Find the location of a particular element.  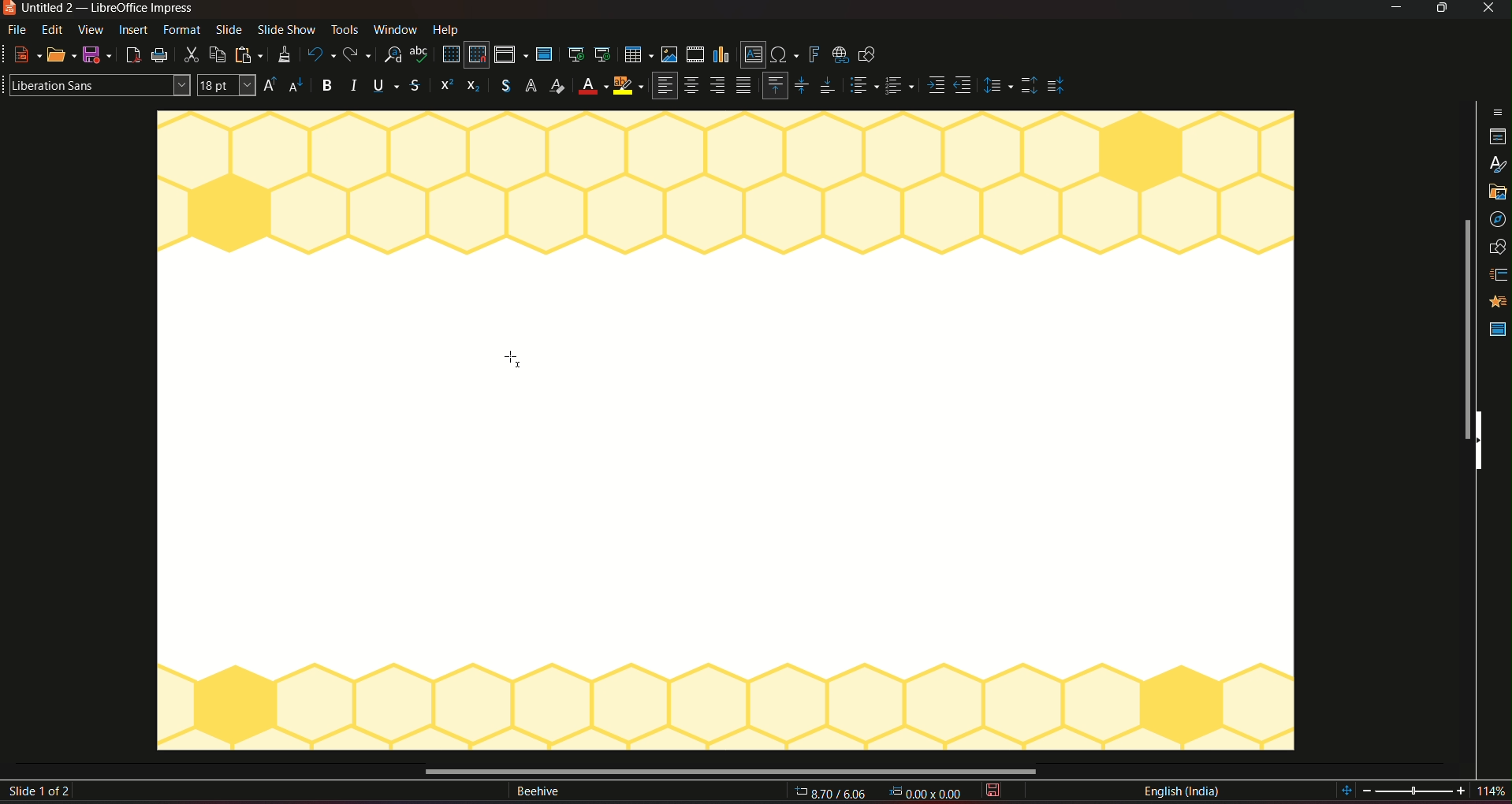

show draw functions is located at coordinates (872, 56).